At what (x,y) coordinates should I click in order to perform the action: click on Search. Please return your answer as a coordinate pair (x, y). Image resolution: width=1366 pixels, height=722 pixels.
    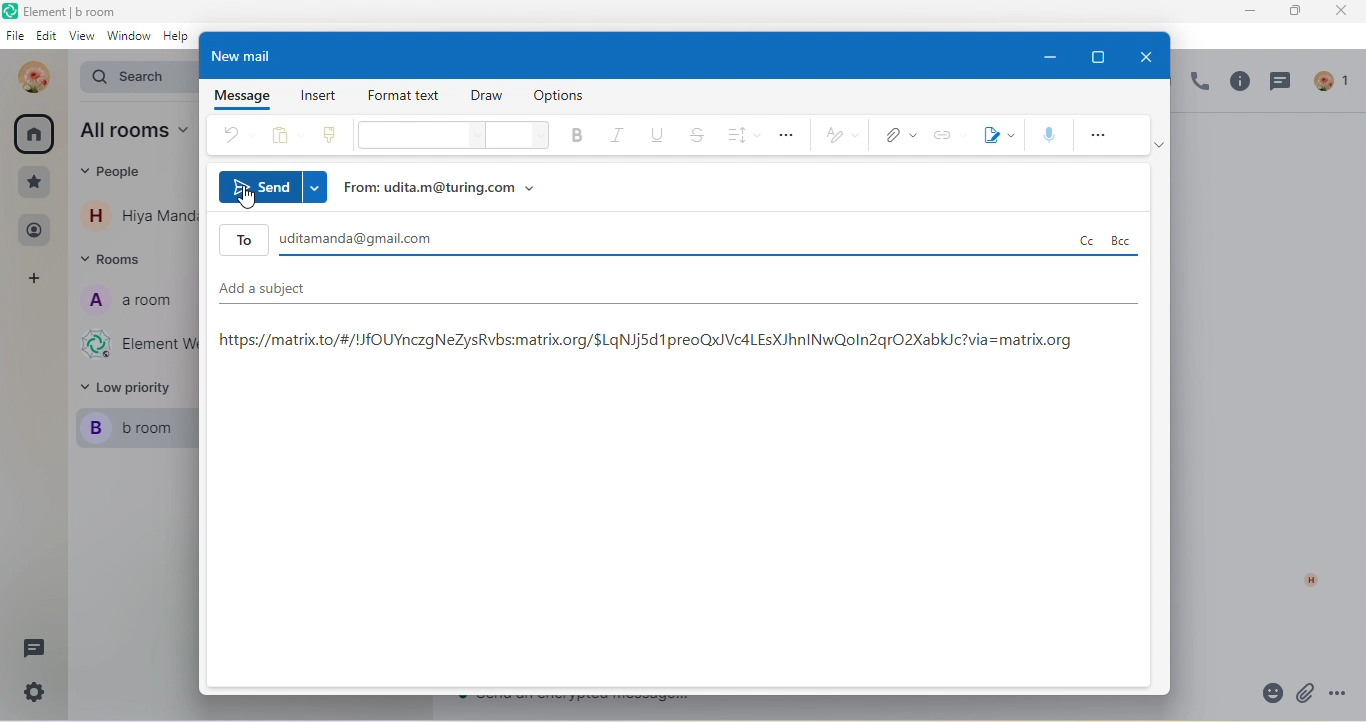
    Looking at the image, I should click on (130, 78).